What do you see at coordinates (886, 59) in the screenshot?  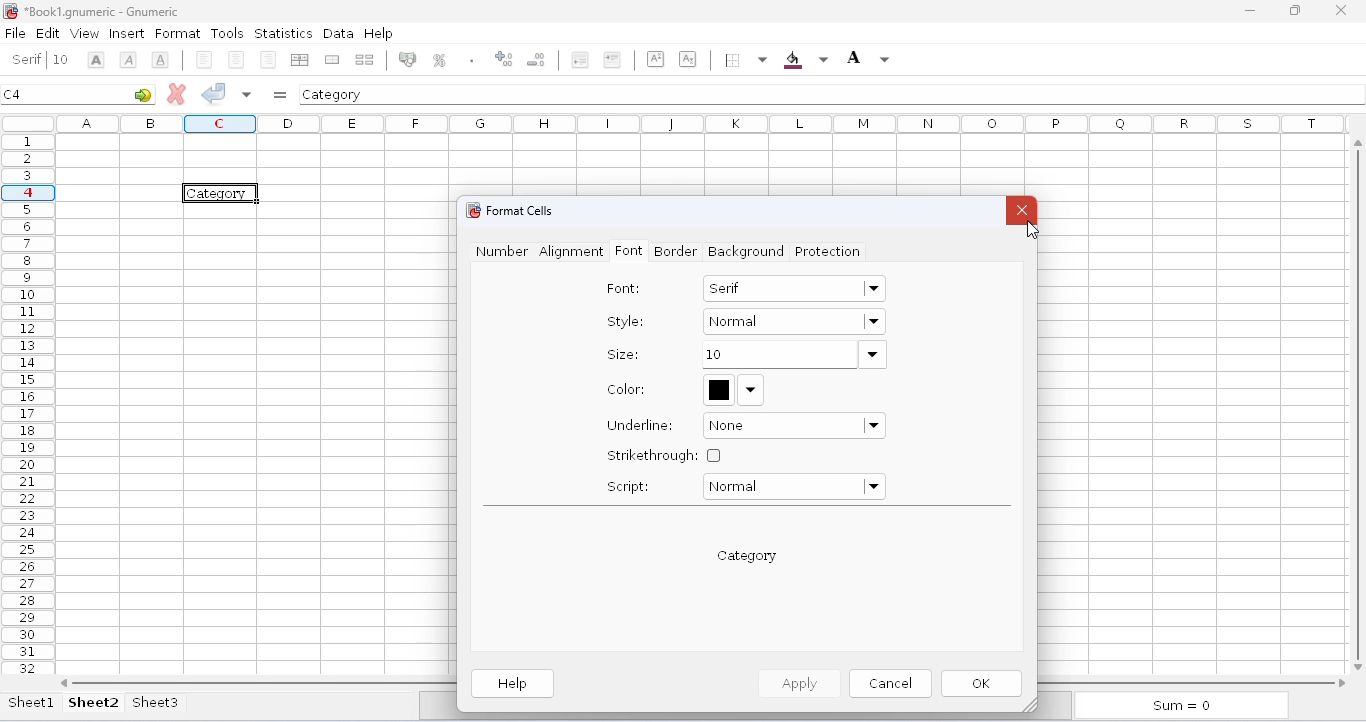 I see `foreground` at bounding box center [886, 59].